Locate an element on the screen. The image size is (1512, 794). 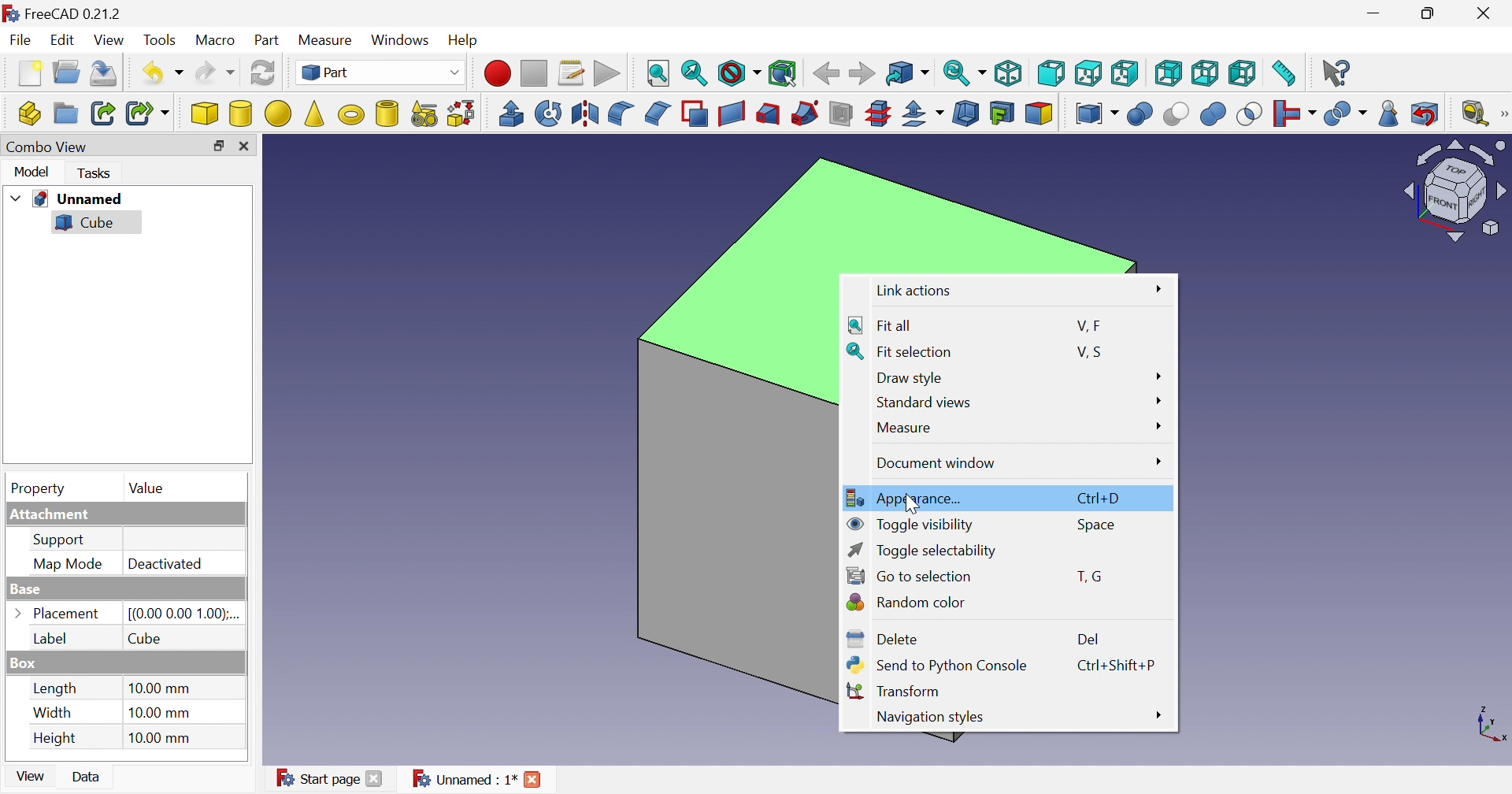
Offset is located at coordinates (925, 114).